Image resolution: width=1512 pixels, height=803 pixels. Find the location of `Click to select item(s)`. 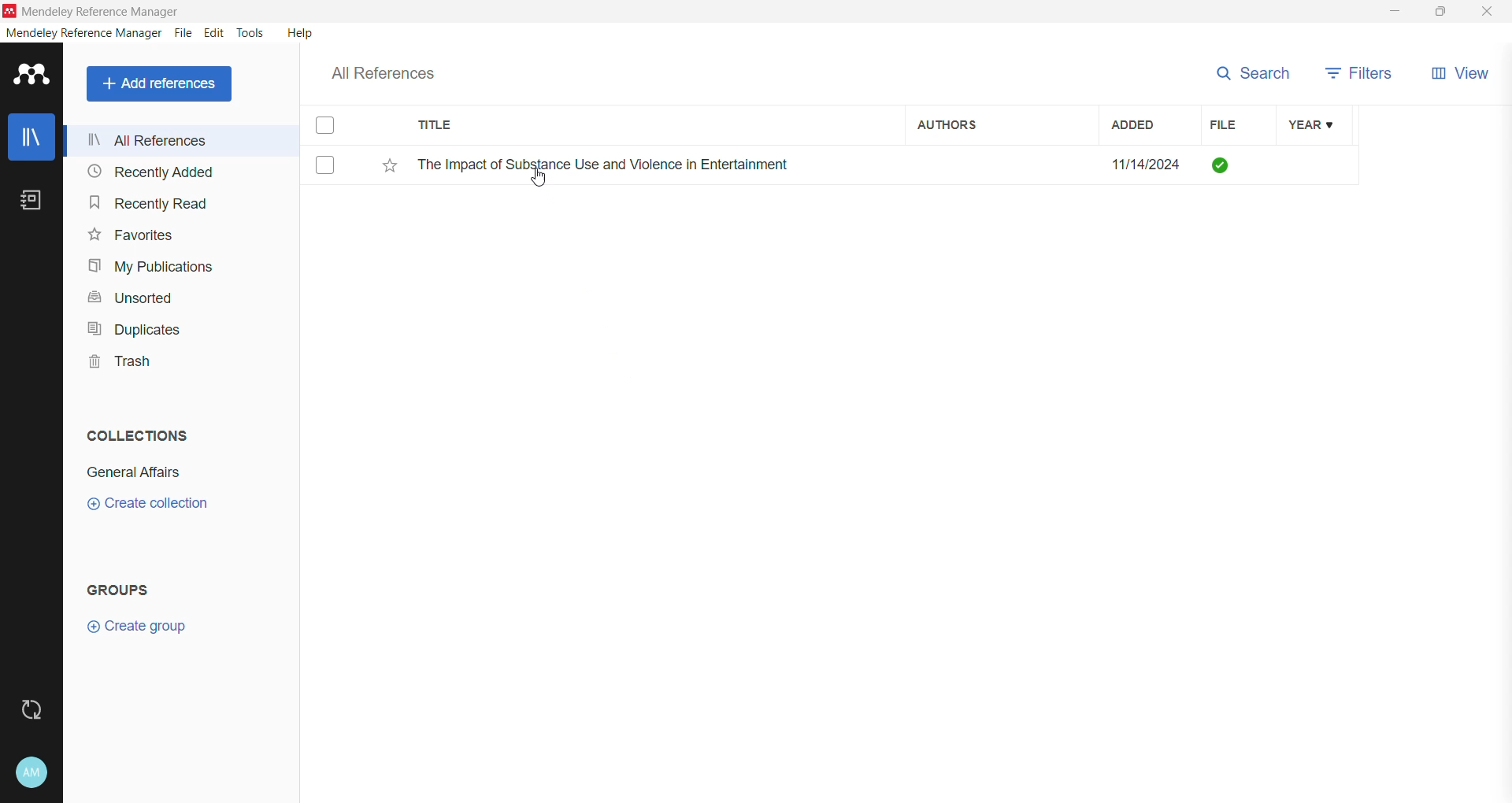

Click to select item(s) is located at coordinates (333, 144).